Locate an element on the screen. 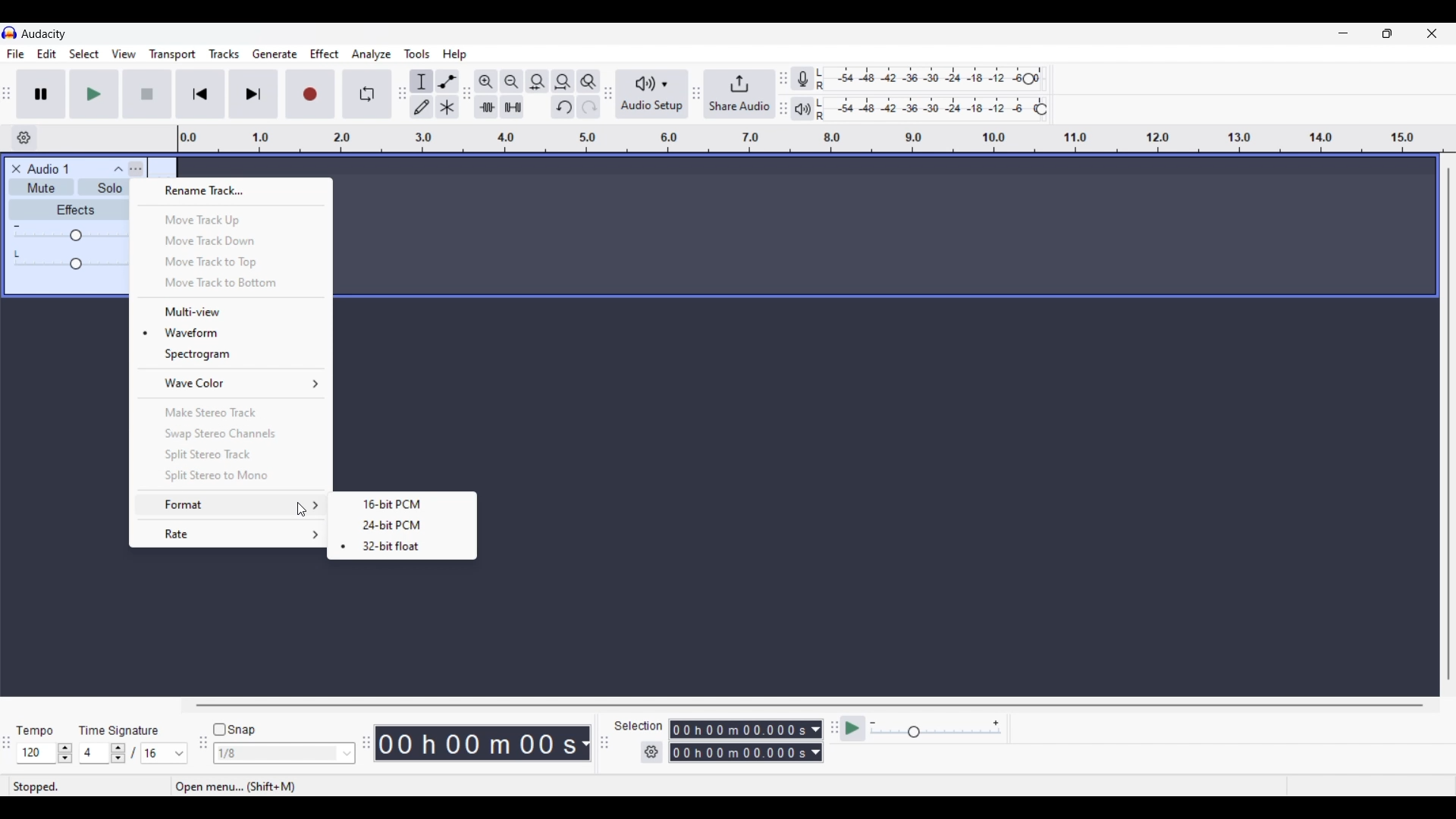 Image resolution: width=1456 pixels, height=819 pixels. Playback meter is located at coordinates (812, 108).